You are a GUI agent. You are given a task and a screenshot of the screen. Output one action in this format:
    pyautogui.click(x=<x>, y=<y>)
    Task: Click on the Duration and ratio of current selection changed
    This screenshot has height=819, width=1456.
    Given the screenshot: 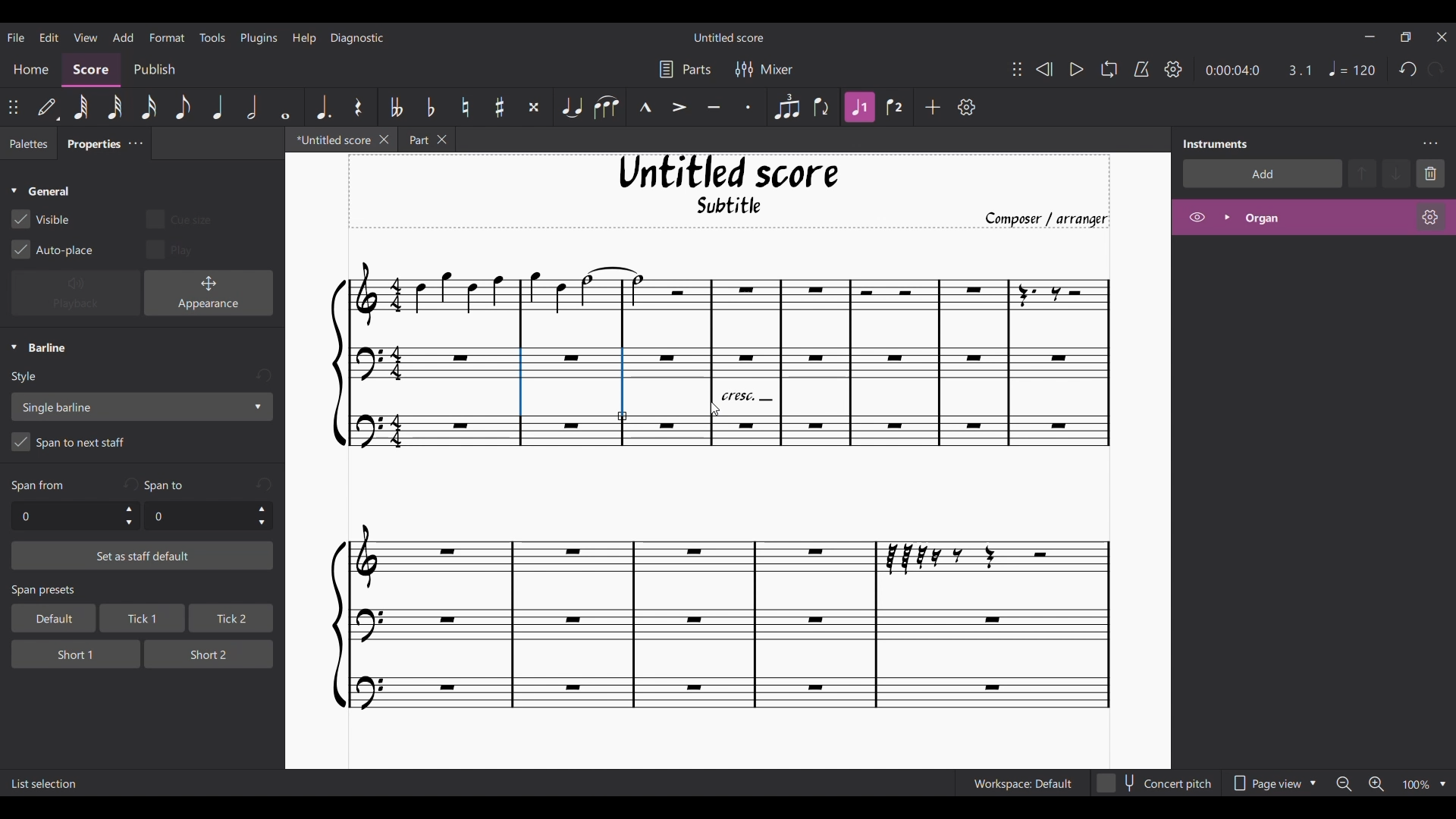 What is the action you would take?
    pyautogui.click(x=1259, y=71)
    